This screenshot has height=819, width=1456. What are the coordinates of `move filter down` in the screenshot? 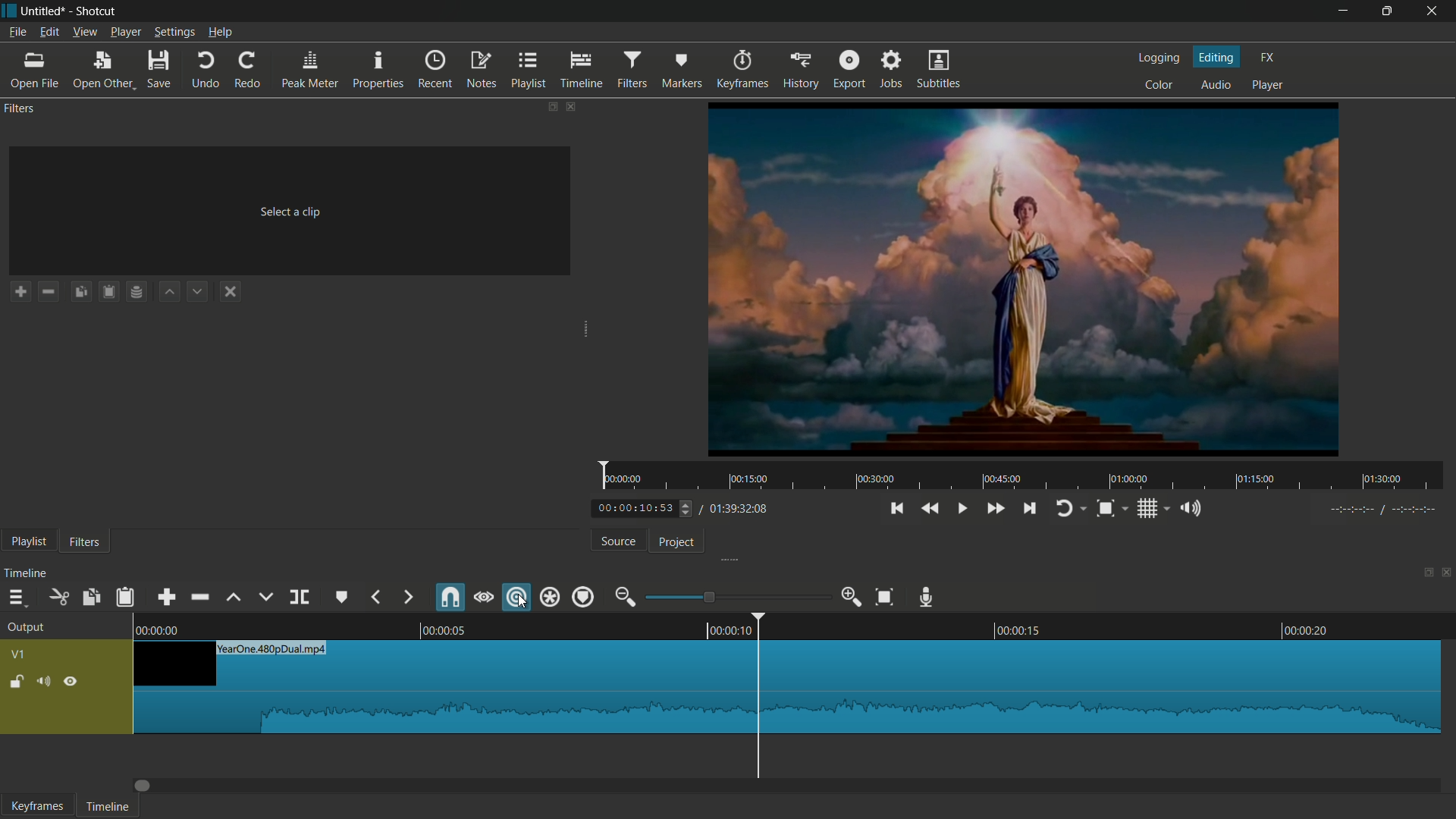 It's located at (199, 290).